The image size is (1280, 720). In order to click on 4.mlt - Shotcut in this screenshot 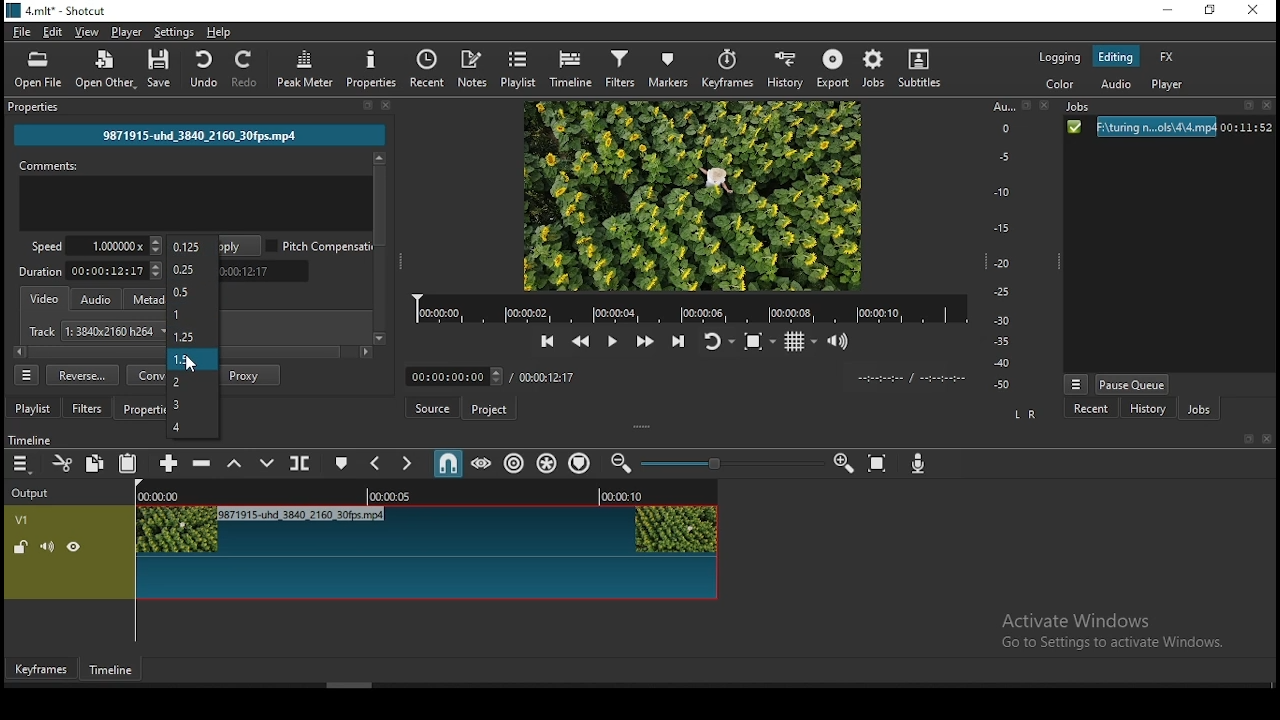, I will do `click(59, 11)`.